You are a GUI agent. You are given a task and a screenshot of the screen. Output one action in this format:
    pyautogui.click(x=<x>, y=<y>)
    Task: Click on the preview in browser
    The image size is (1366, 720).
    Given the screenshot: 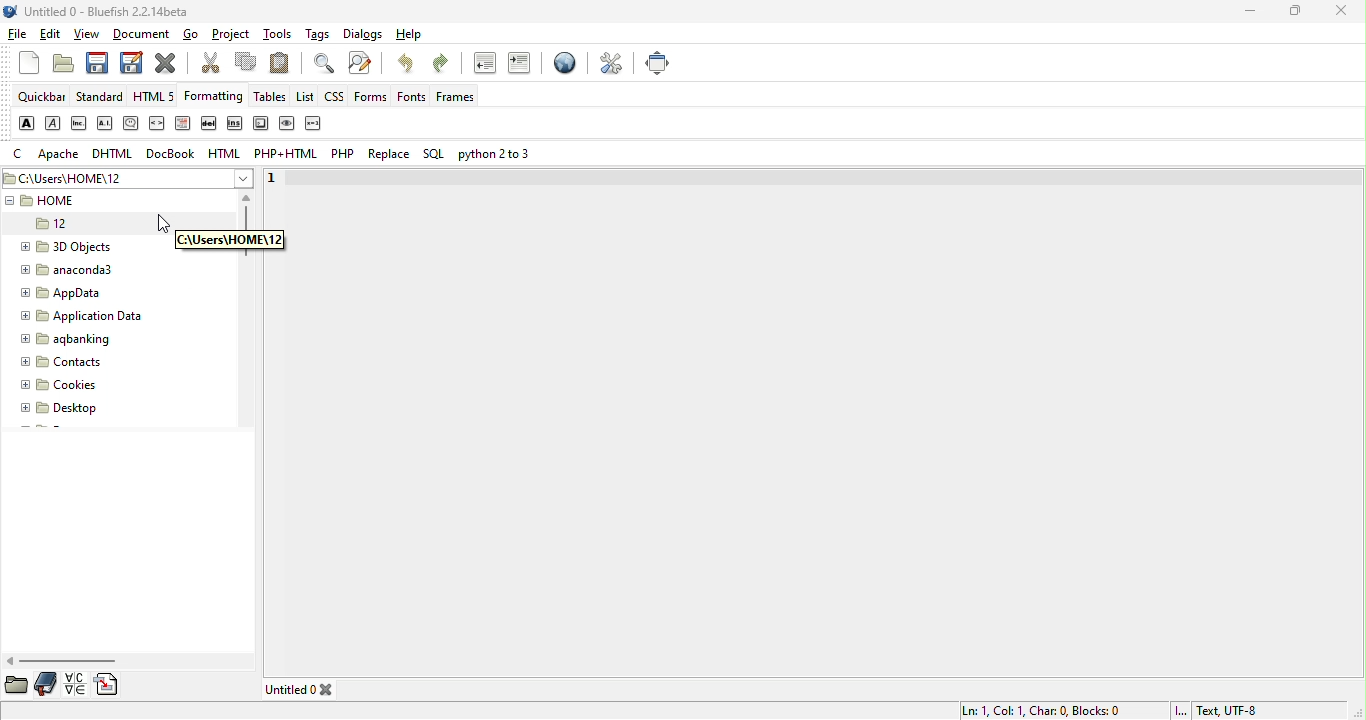 What is the action you would take?
    pyautogui.click(x=562, y=65)
    